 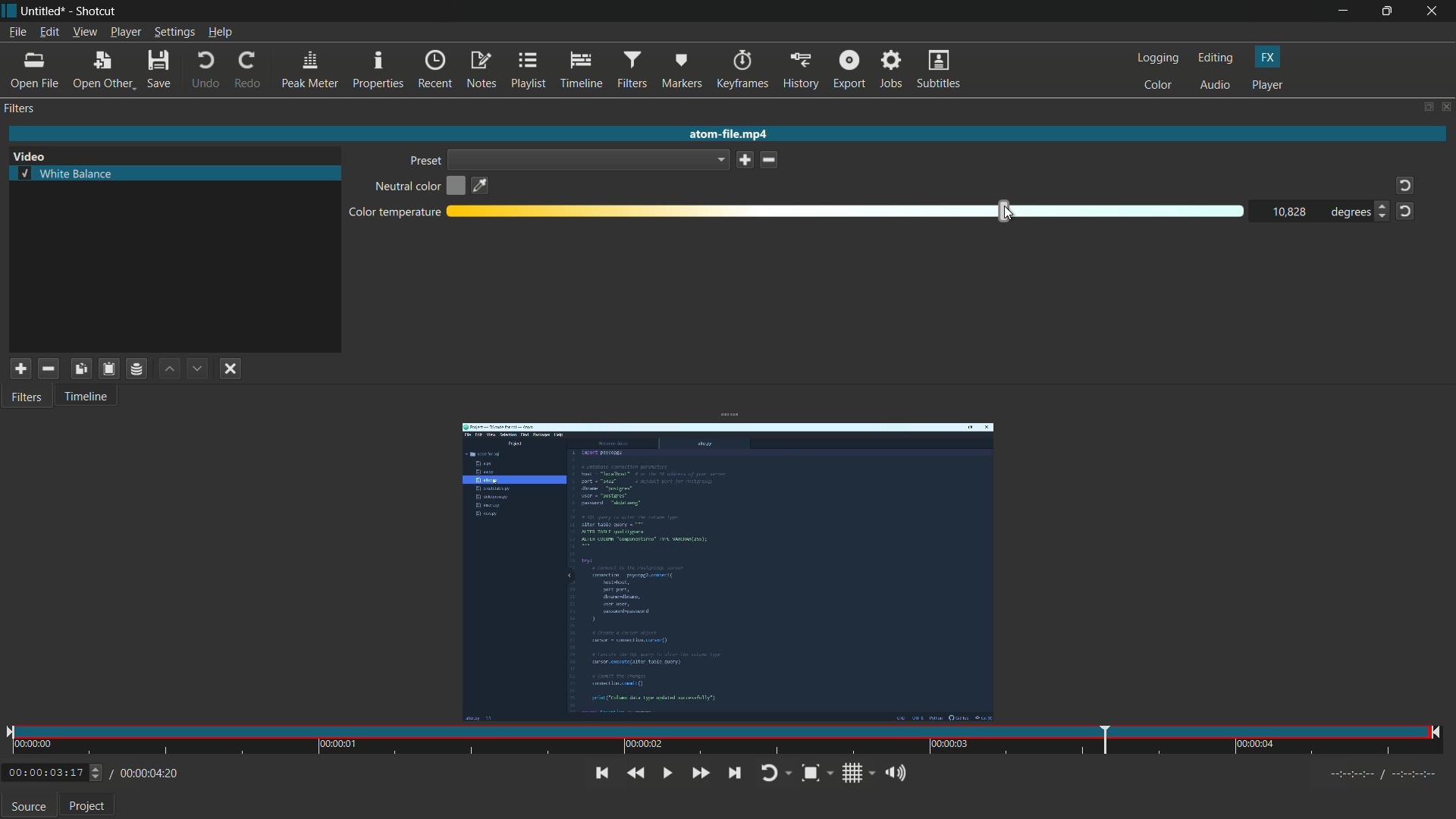 I want to click on quickly play forward, so click(x=700, y=773).